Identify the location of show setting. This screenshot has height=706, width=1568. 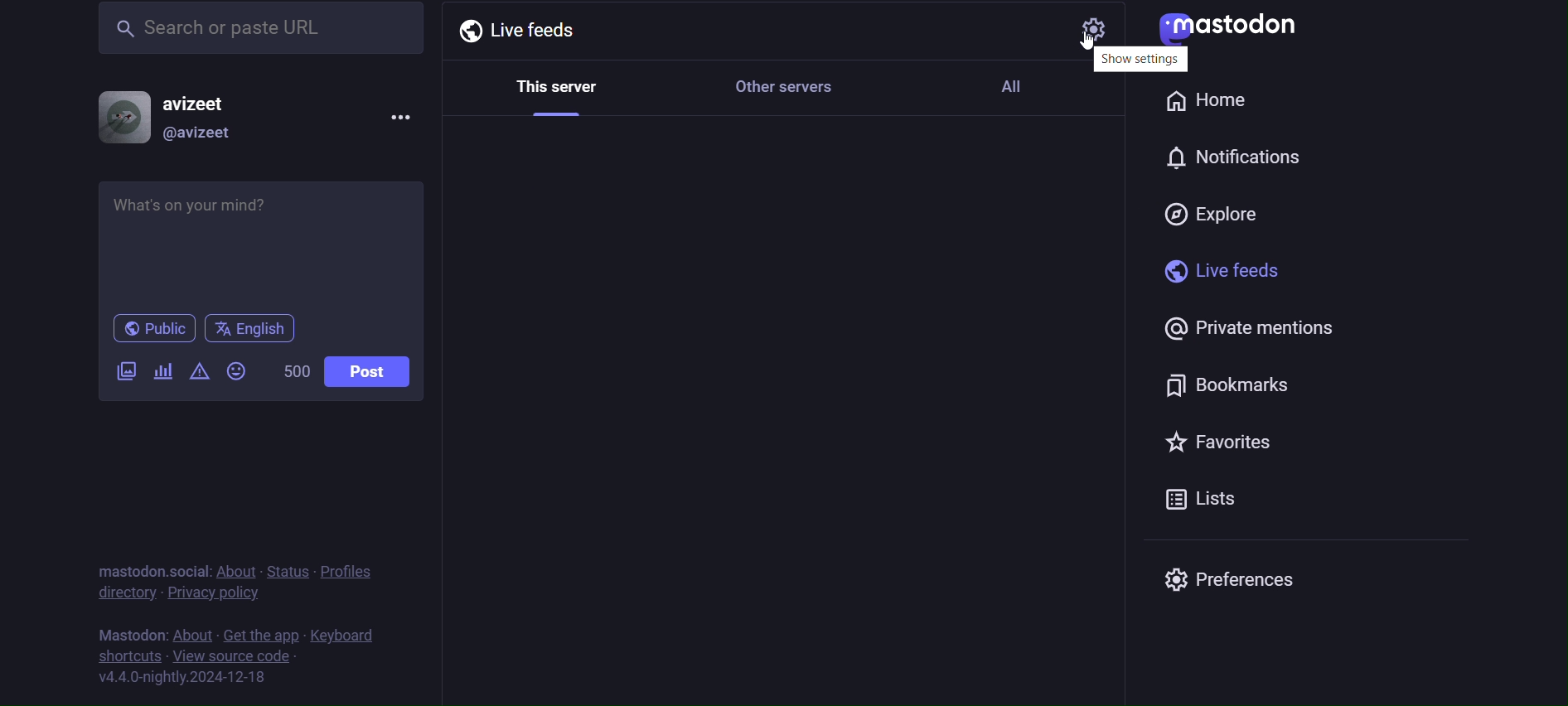
(1140, 61).